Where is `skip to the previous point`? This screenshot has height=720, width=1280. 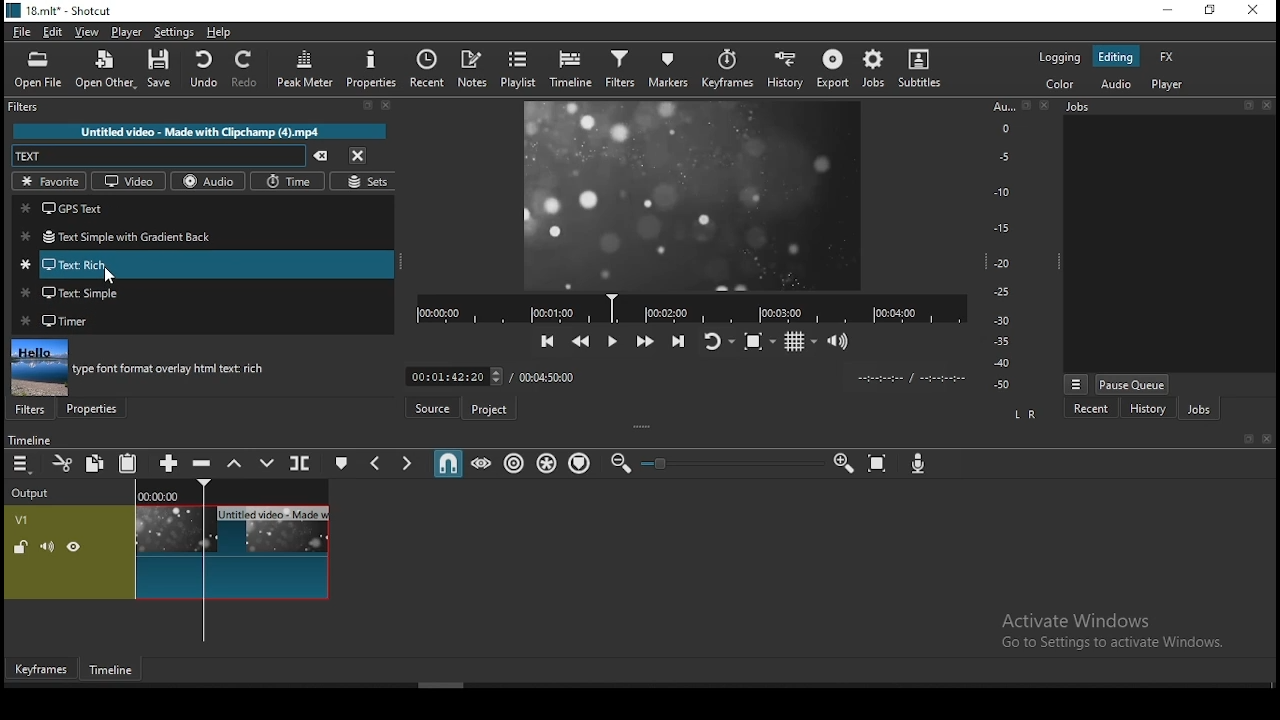 skip to the previous point is located at coordinates (548, 341).